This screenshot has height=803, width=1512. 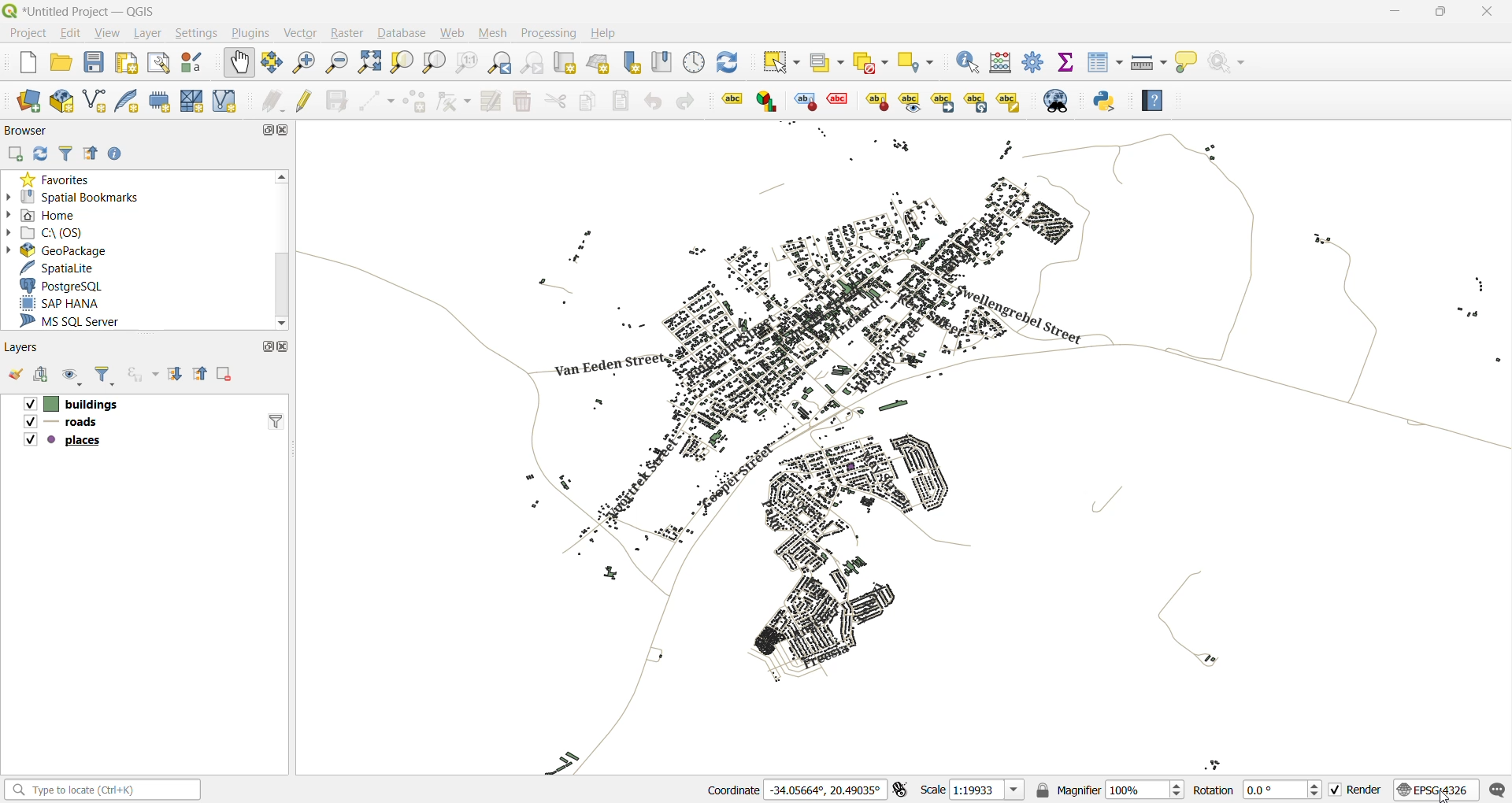 What do you see at coordinates (873, 64) in the screenshot?
I see `deselect value` at bounding box center [873, 64].